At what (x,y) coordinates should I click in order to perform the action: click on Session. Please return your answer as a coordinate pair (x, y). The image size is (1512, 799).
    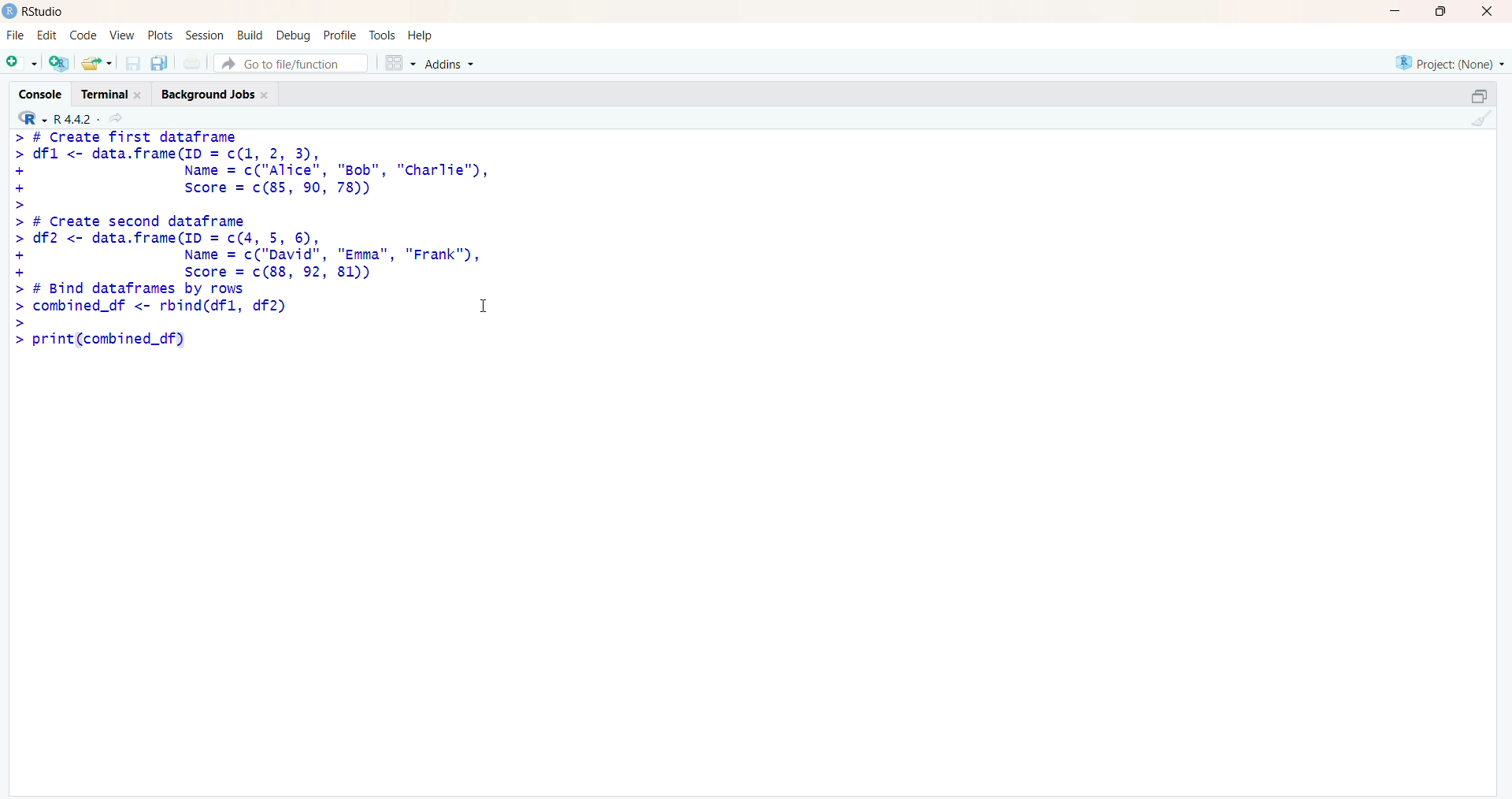
    Looking at the image, I should click on (205, 35).